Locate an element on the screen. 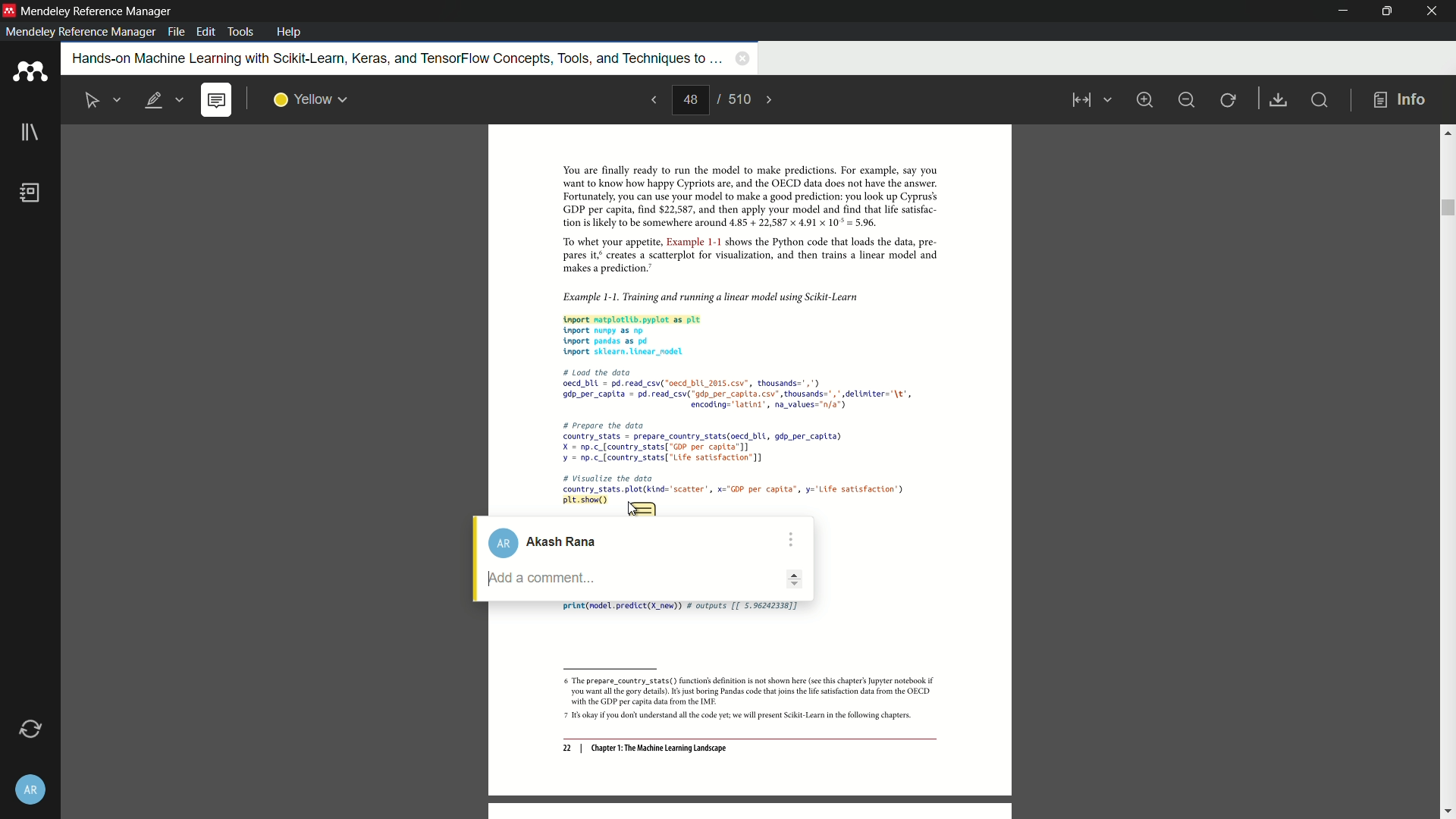 The width and height of the screenshot is (1456, 819). close is located at coordinates (1433, 11).